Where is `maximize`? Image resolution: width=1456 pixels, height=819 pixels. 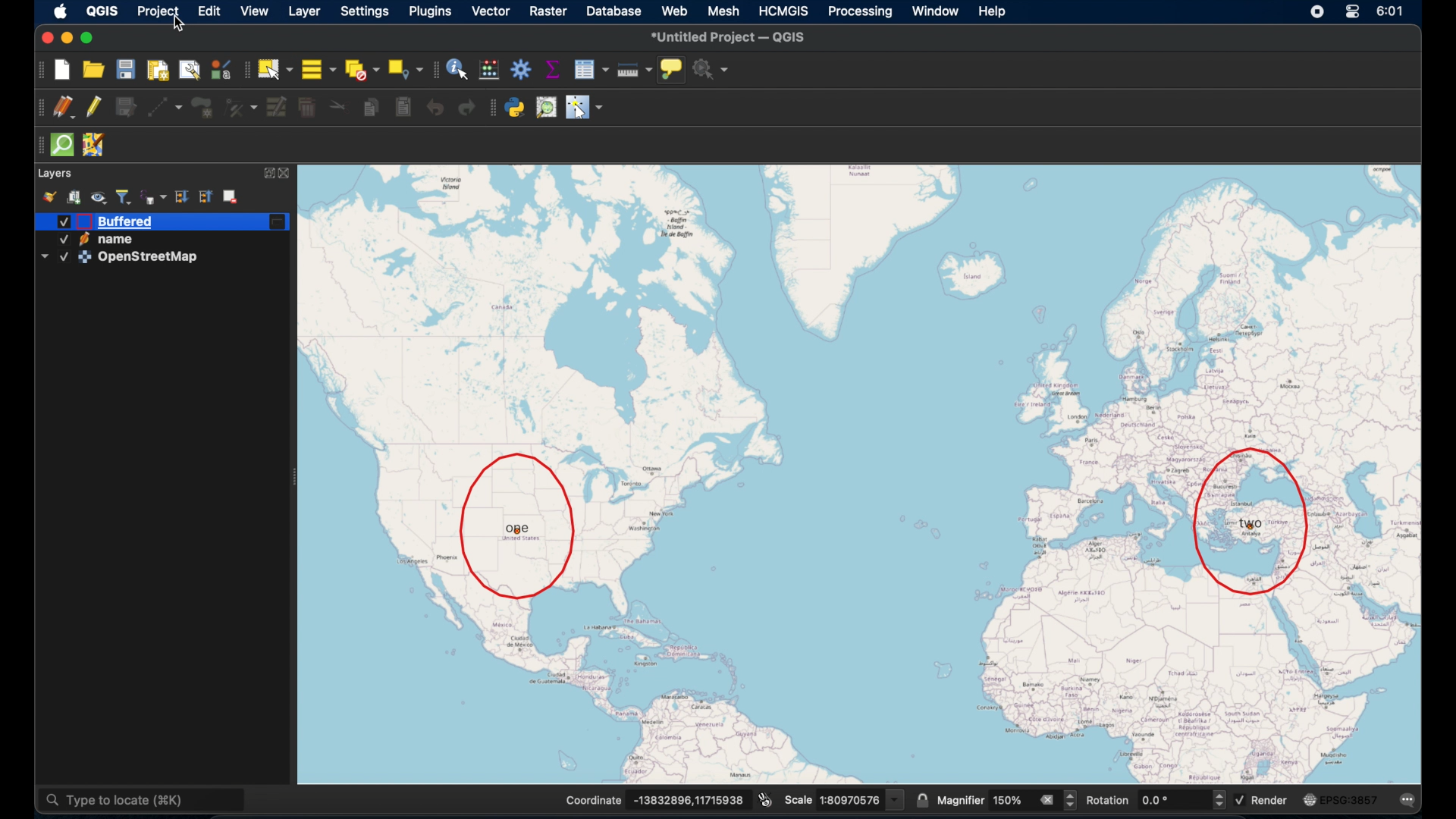 maximize is located at coordinates (89, 38).